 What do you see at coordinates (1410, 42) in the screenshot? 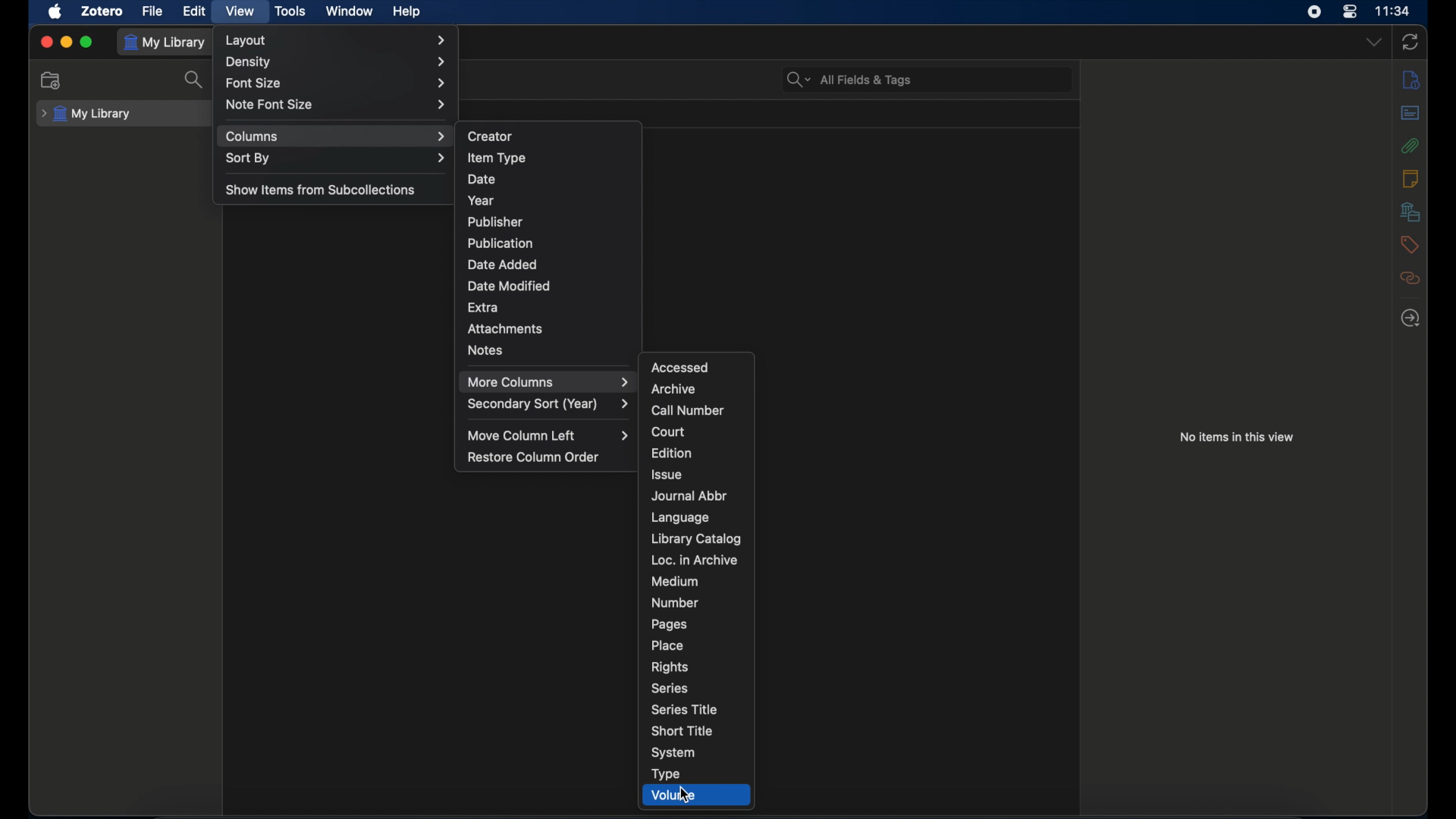
I see `sync` at bounding box center [1410, 42].